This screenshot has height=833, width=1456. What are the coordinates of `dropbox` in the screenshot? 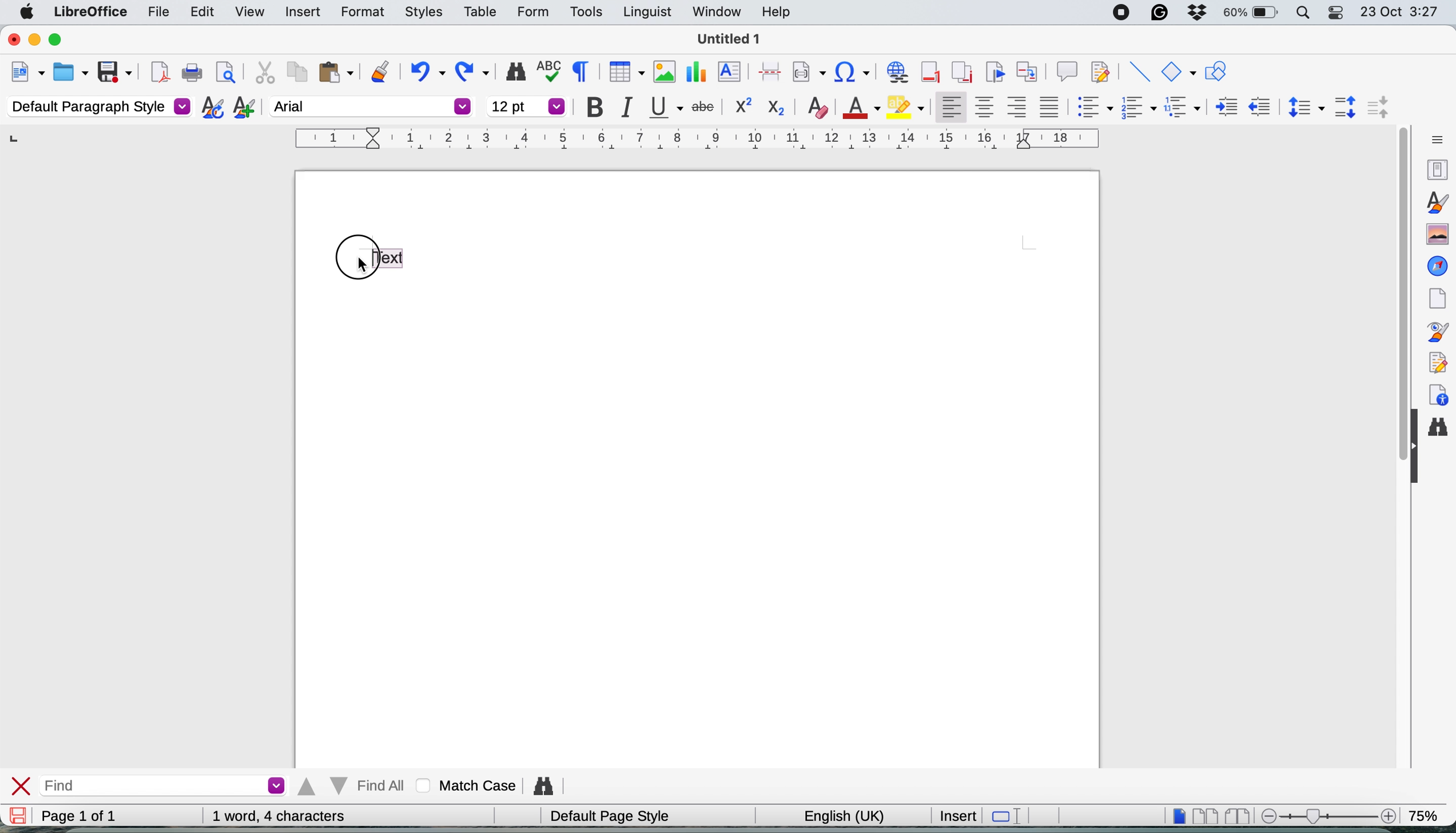 It's located at (1195, 11).